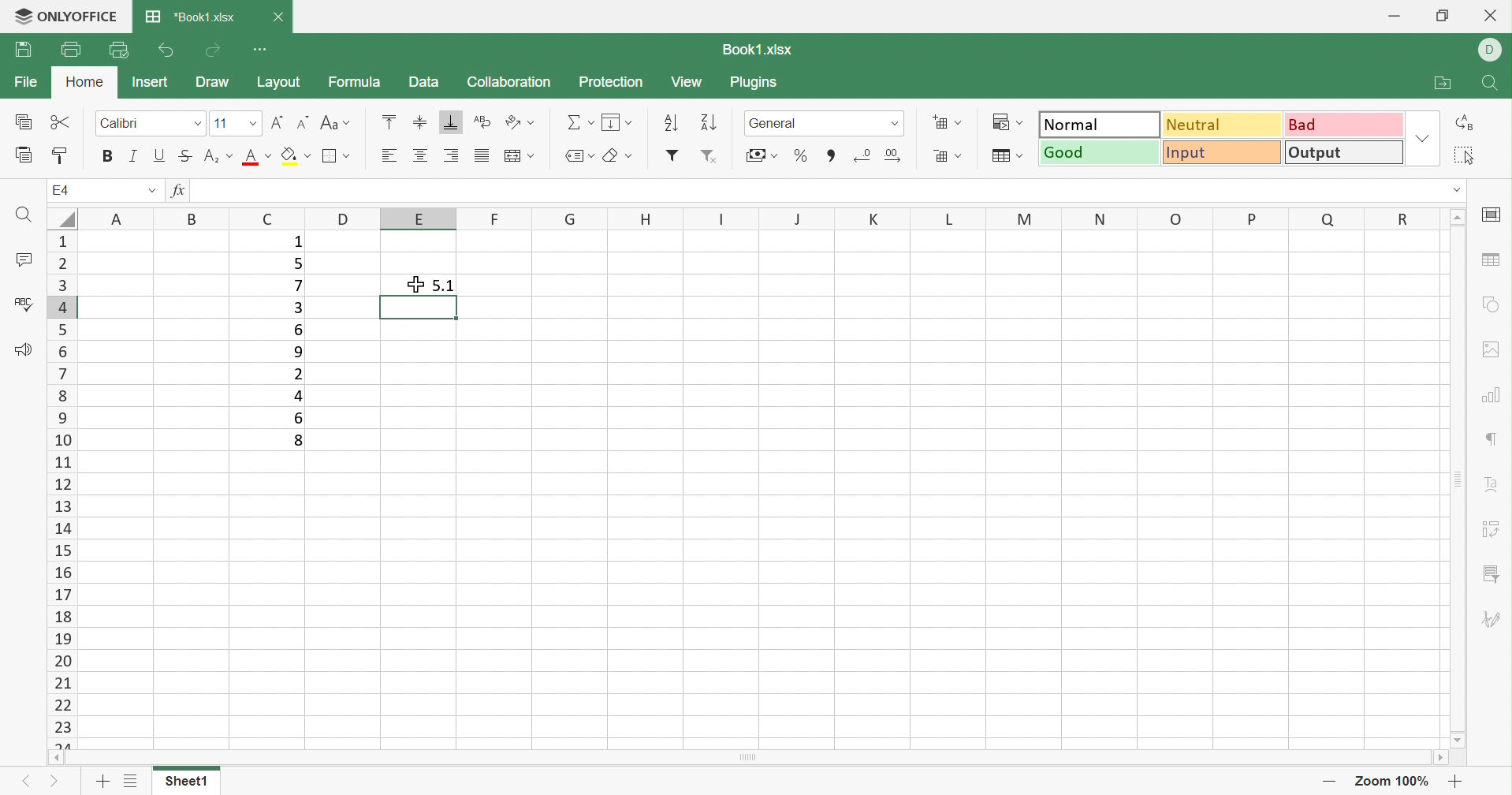 This screenshot has height=795, width=1512. What do you see at coordinates (579, 121) in the screenshot?
I see `Summation` at bounding box center [579, 121].